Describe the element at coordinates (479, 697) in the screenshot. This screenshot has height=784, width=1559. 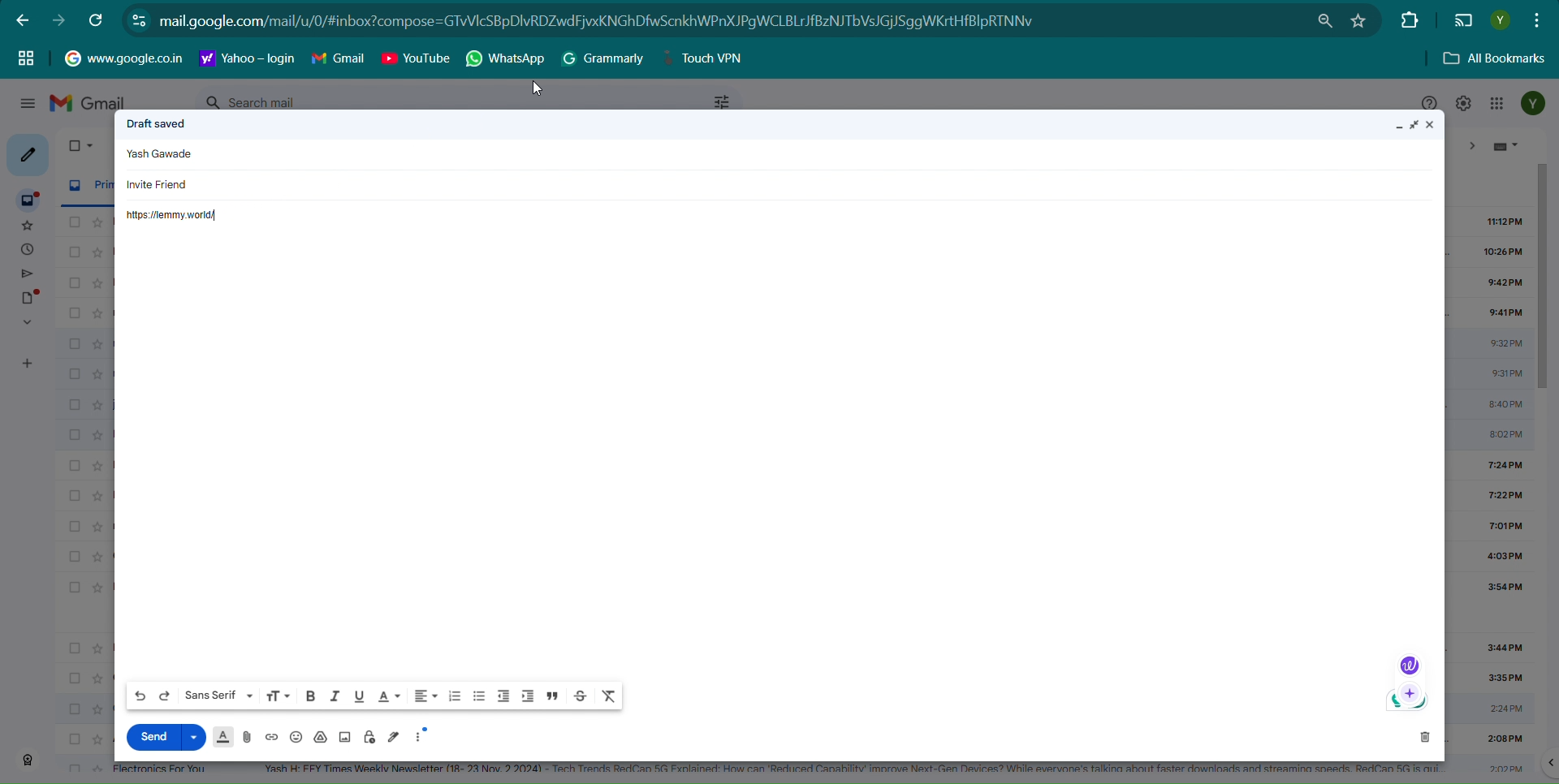
I see `Bulleted list` at that location.